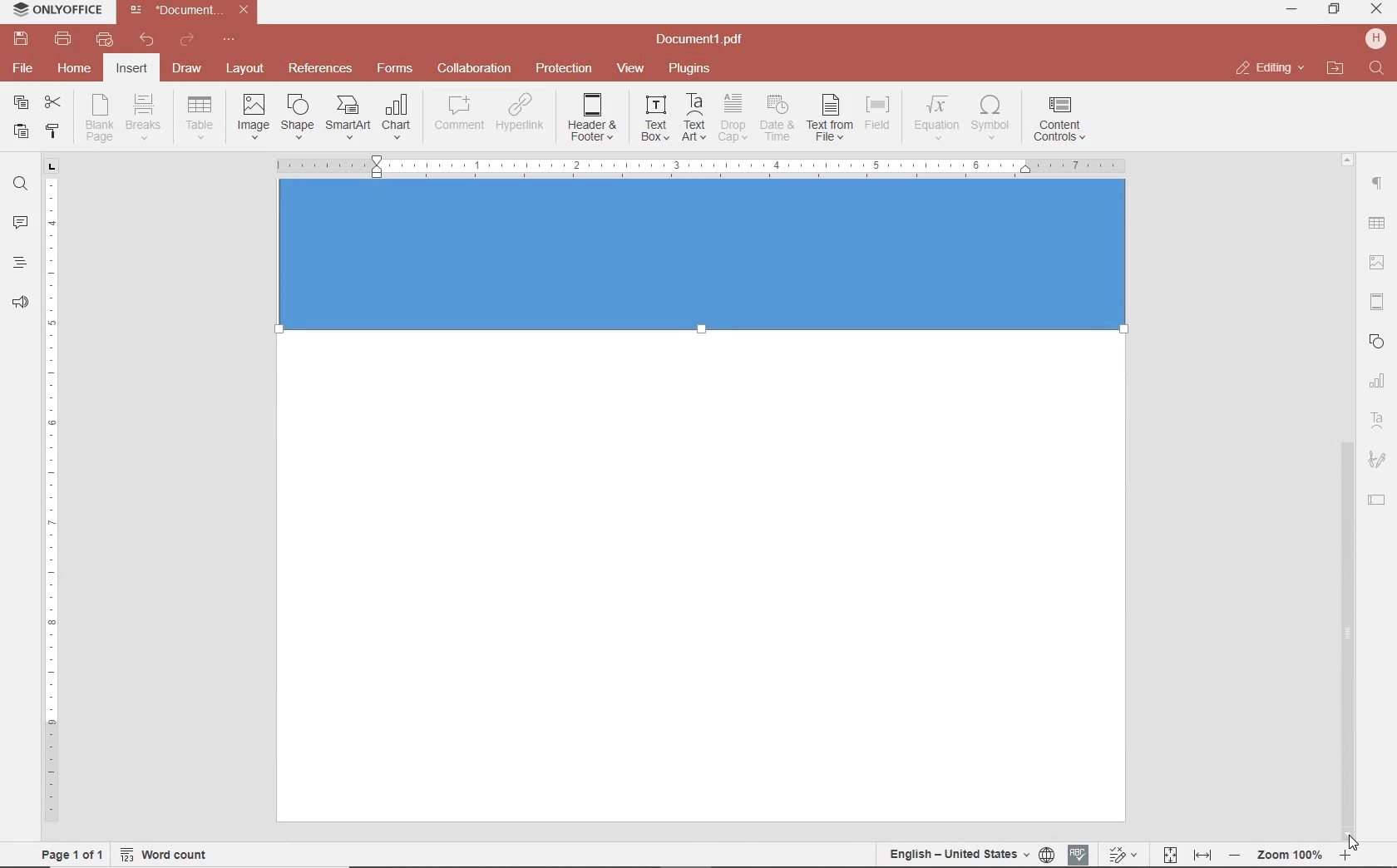 This screenshot has width=1397, height=868. I want to click on , so click(699, 166).